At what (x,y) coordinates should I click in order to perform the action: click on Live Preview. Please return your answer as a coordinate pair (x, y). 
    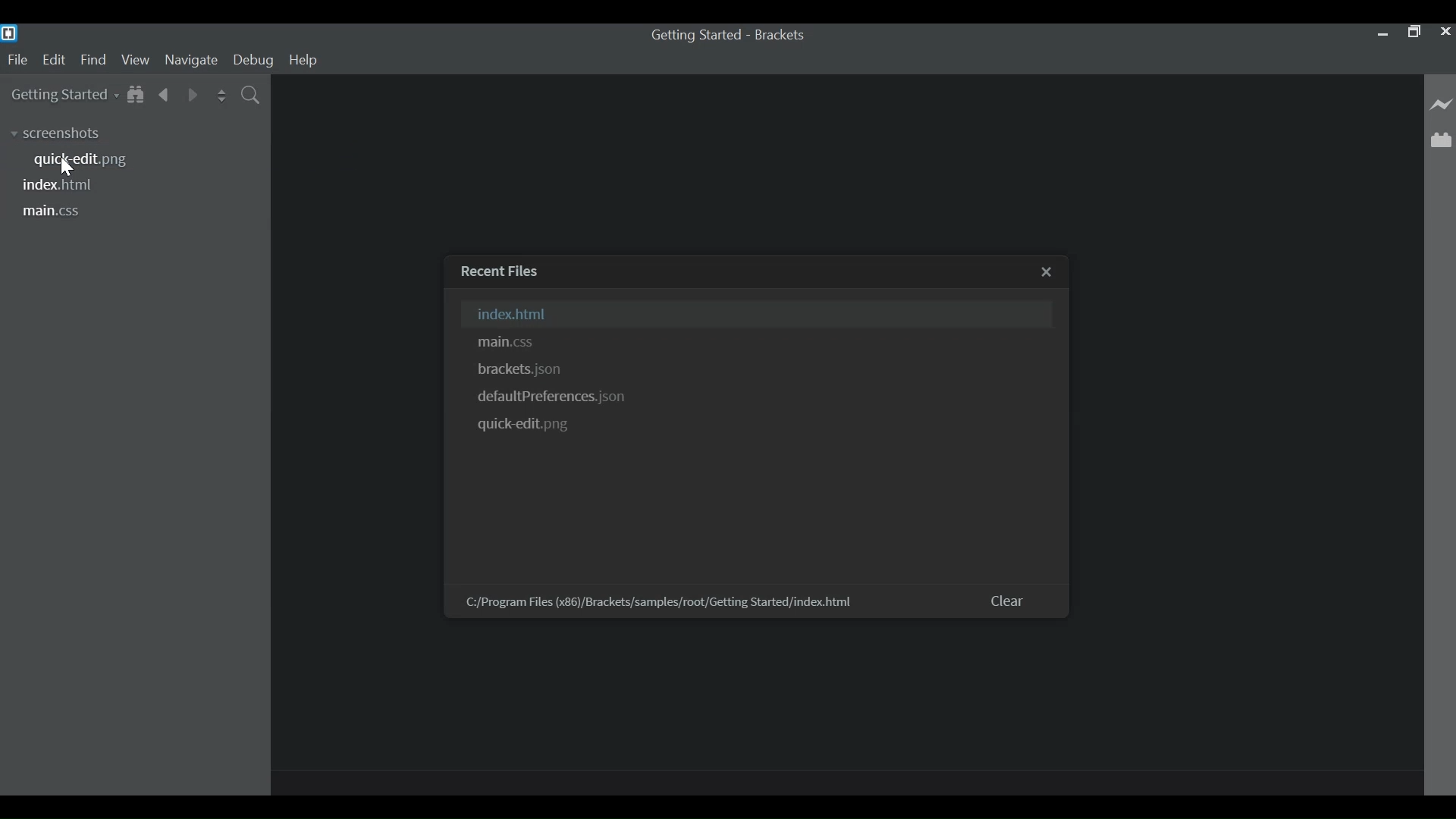
    Looking at the image, I should click on (1442, 105).